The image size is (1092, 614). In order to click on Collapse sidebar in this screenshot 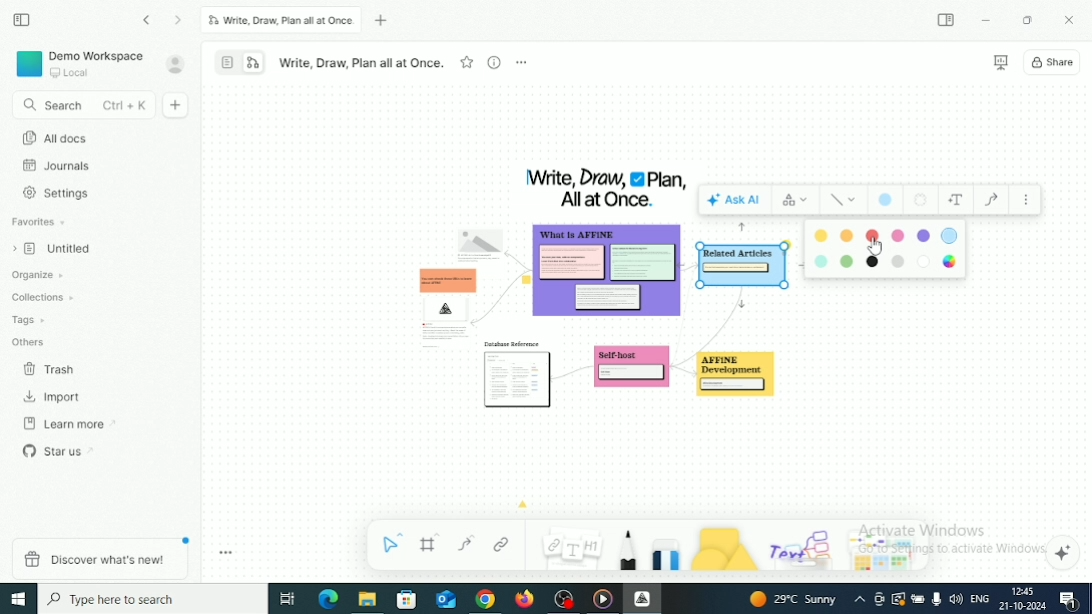, I will do `click(21, 19)`.